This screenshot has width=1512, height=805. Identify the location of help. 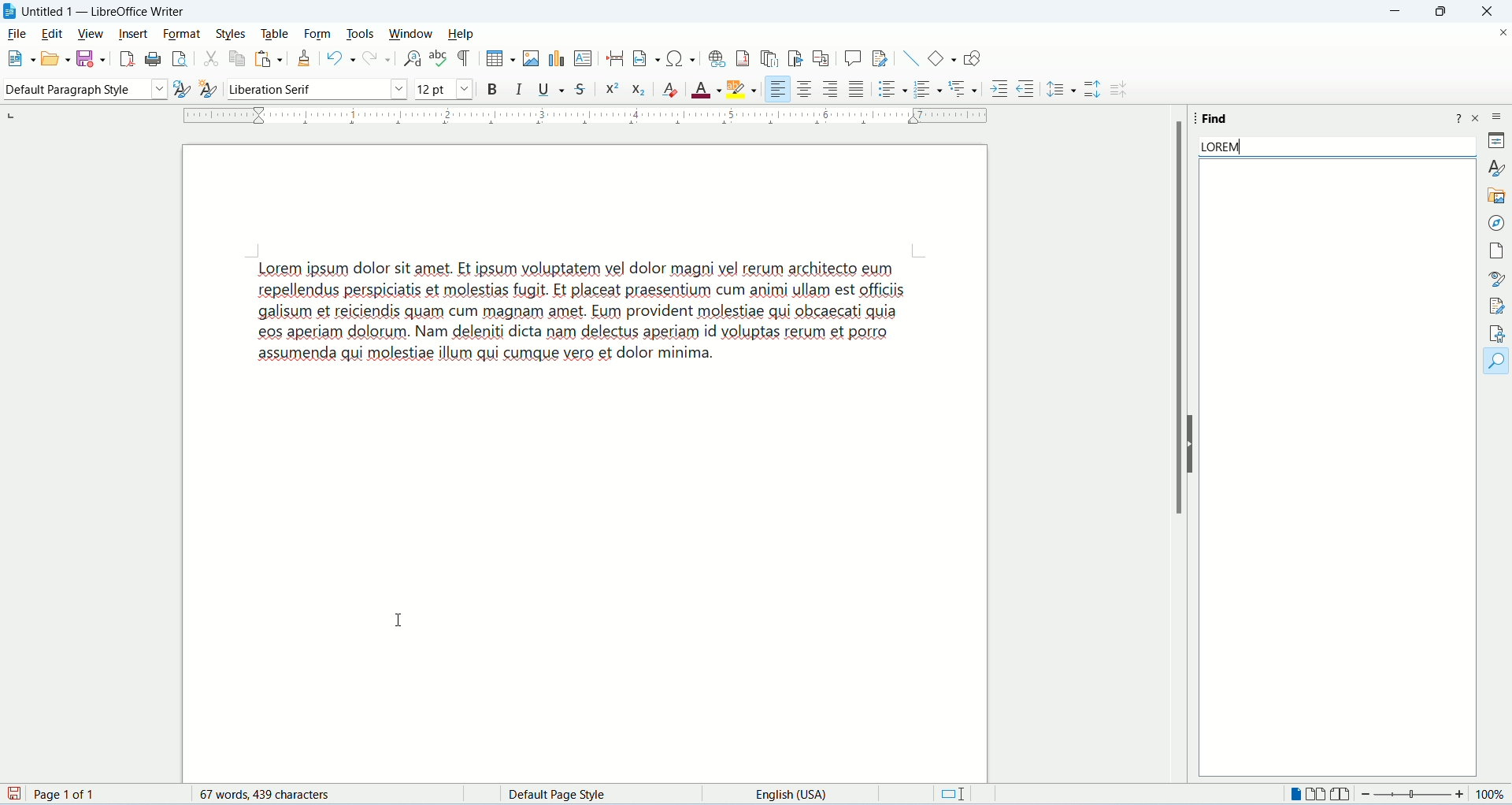
(463, 34).